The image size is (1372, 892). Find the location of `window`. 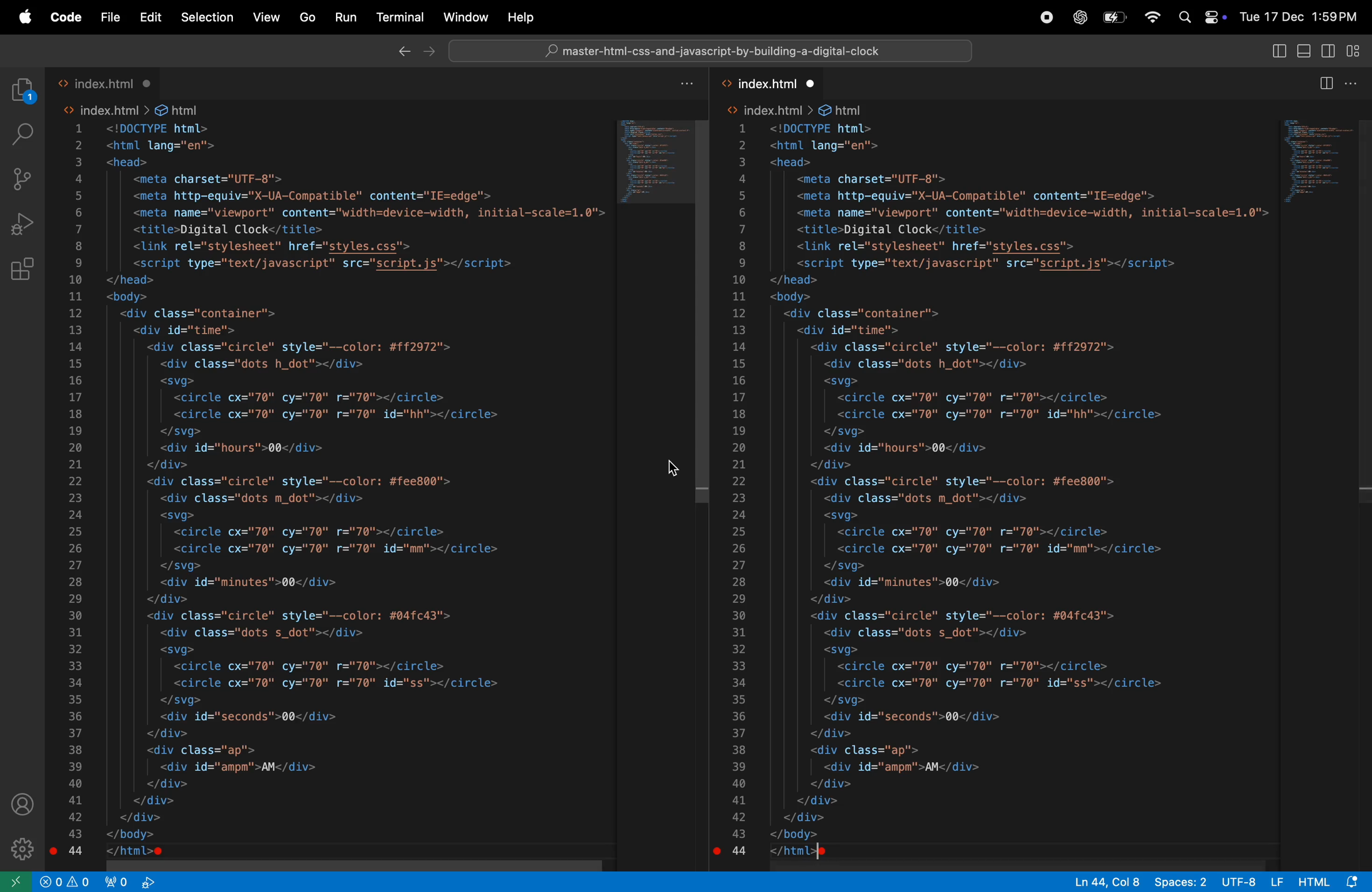

window is located at coordinates (464, 16).